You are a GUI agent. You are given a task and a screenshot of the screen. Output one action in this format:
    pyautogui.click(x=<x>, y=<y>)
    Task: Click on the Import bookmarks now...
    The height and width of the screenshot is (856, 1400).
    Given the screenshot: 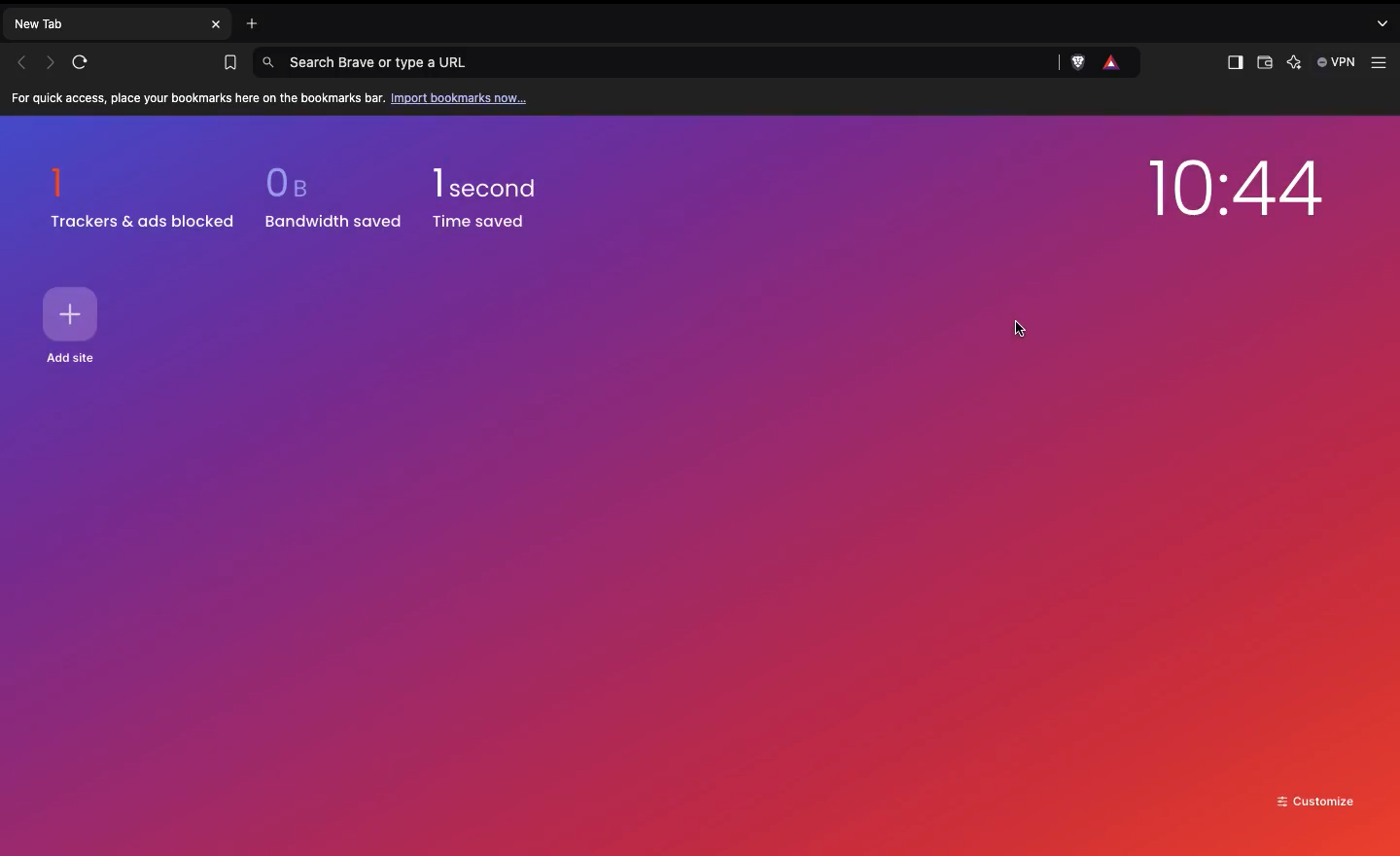 What is the action you would take?
    pyautogui.click(x=463, y=97)
    